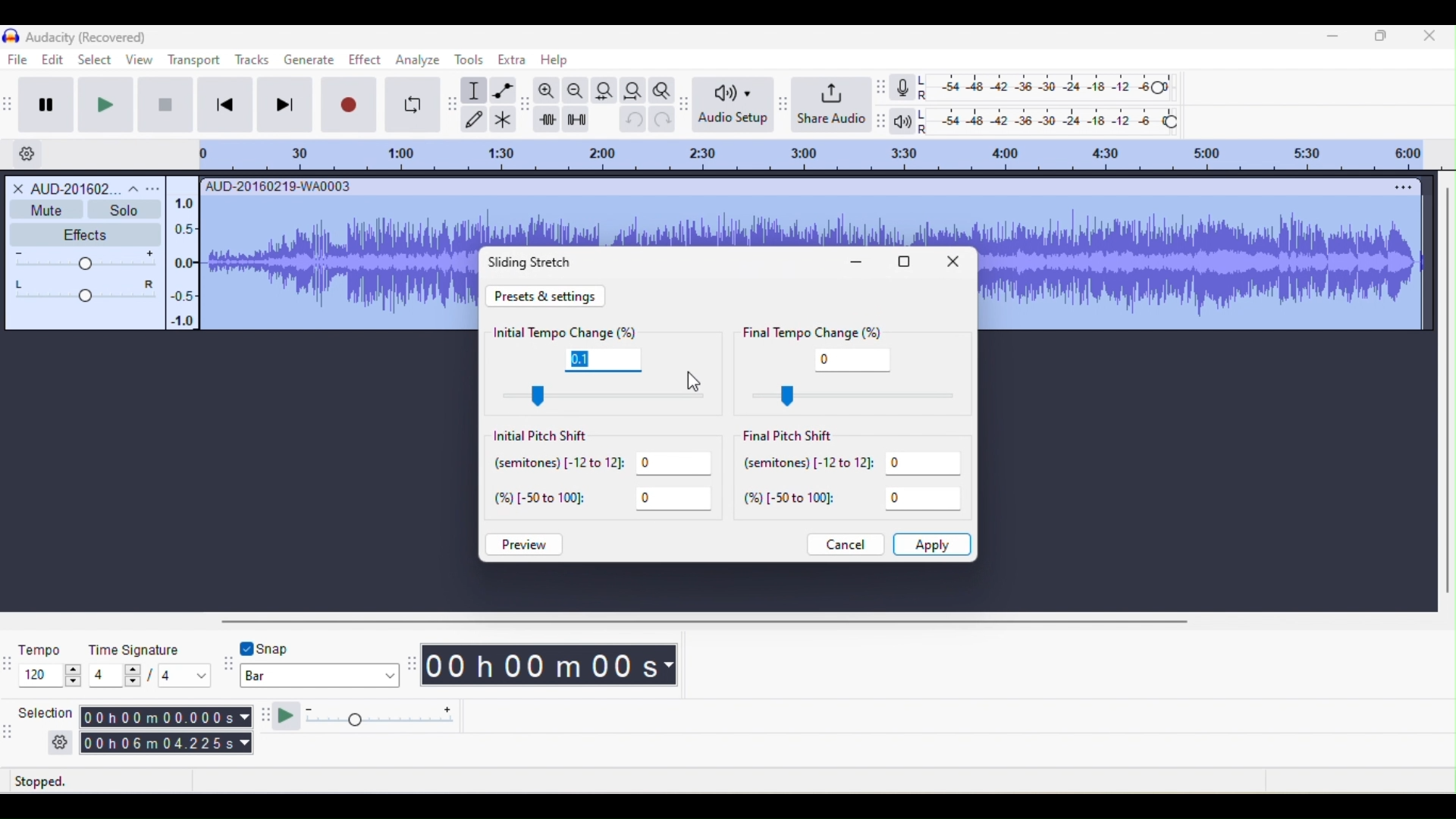 This screenshot has height=819, width=1456. I want to click on Scale, so click(180, 259).